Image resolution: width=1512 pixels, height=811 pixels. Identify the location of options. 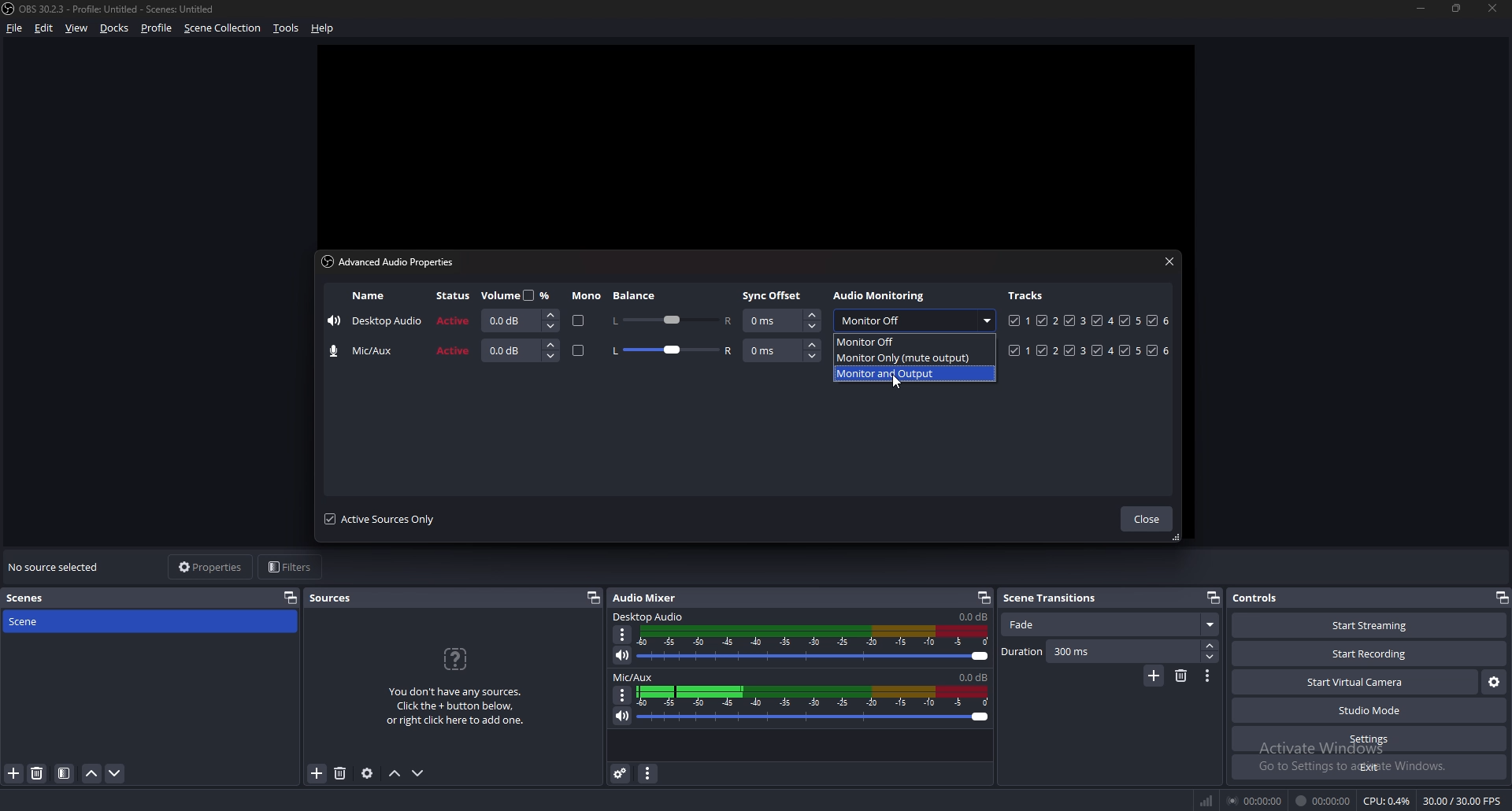
(623, 694).